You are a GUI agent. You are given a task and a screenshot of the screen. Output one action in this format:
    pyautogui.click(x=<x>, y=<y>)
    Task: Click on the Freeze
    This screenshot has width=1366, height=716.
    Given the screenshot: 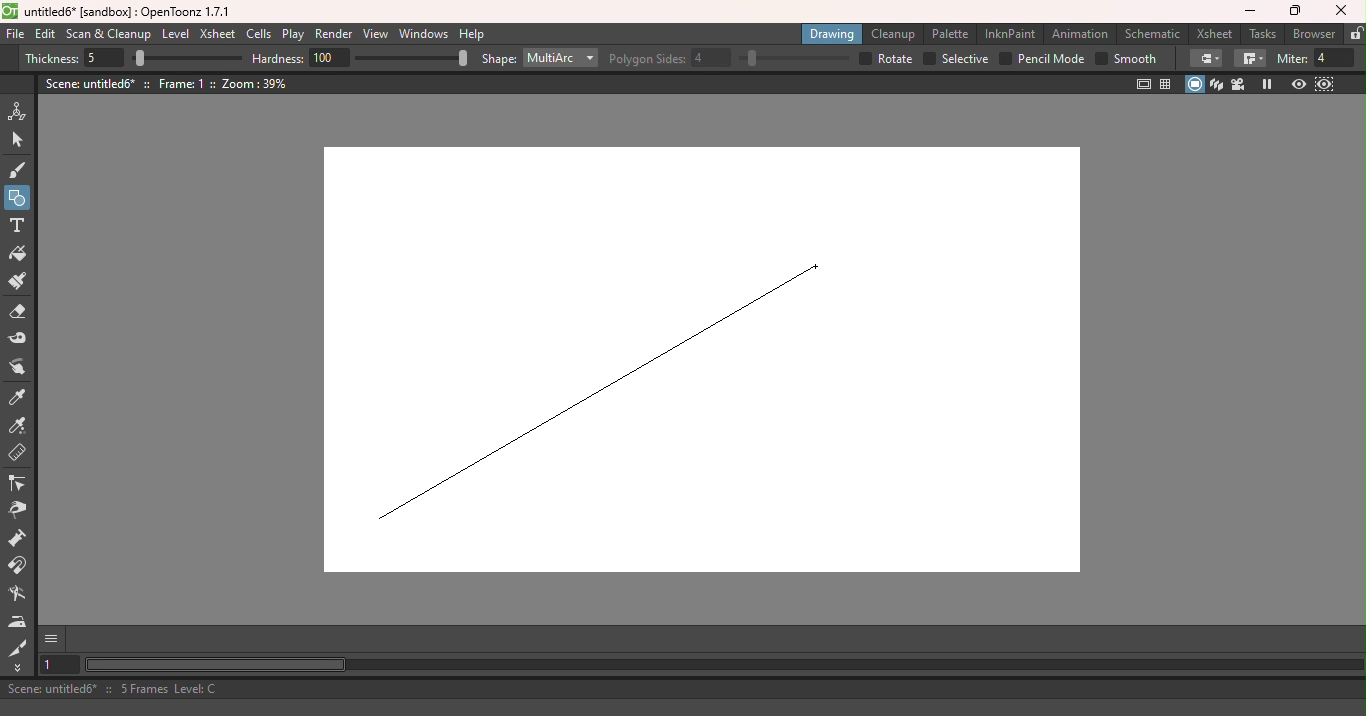 What is the action you would take?
    pyautogui.click(x=1269, y=84)
    